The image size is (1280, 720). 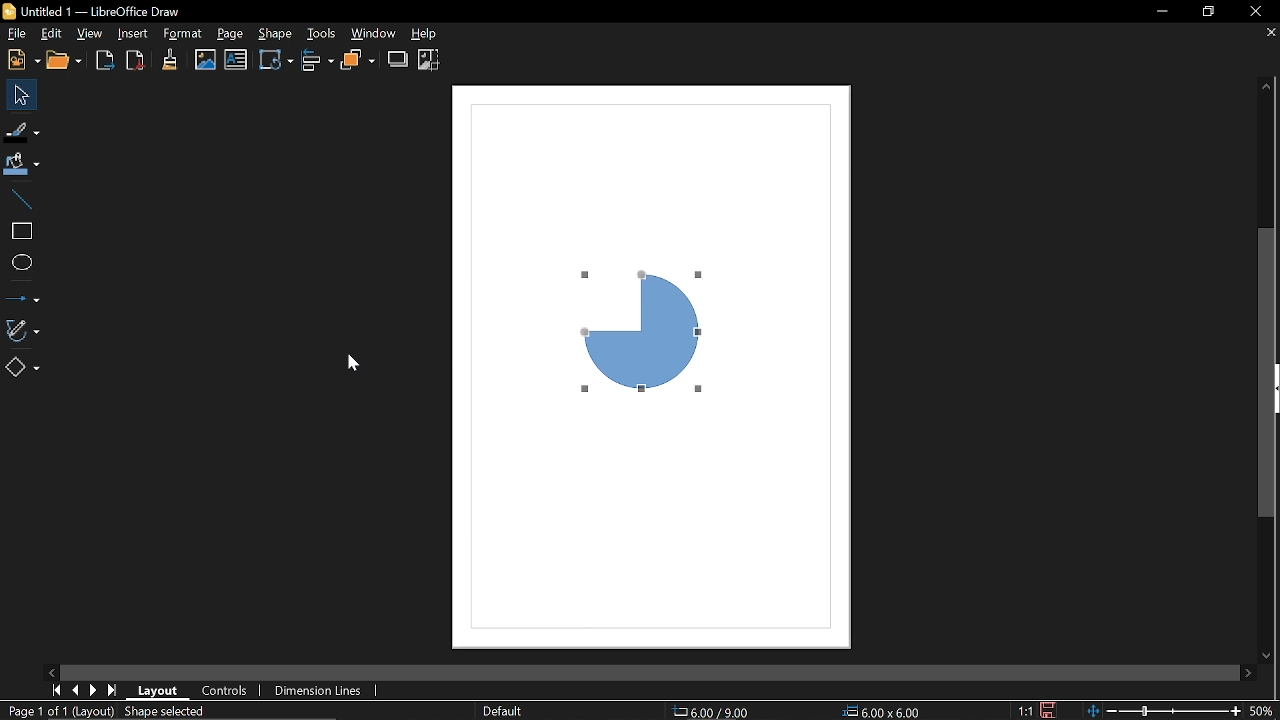 What do you see at coordinates (22, 130) in the screenshot?
I see `Fill line` at bounding box center [22, 130].